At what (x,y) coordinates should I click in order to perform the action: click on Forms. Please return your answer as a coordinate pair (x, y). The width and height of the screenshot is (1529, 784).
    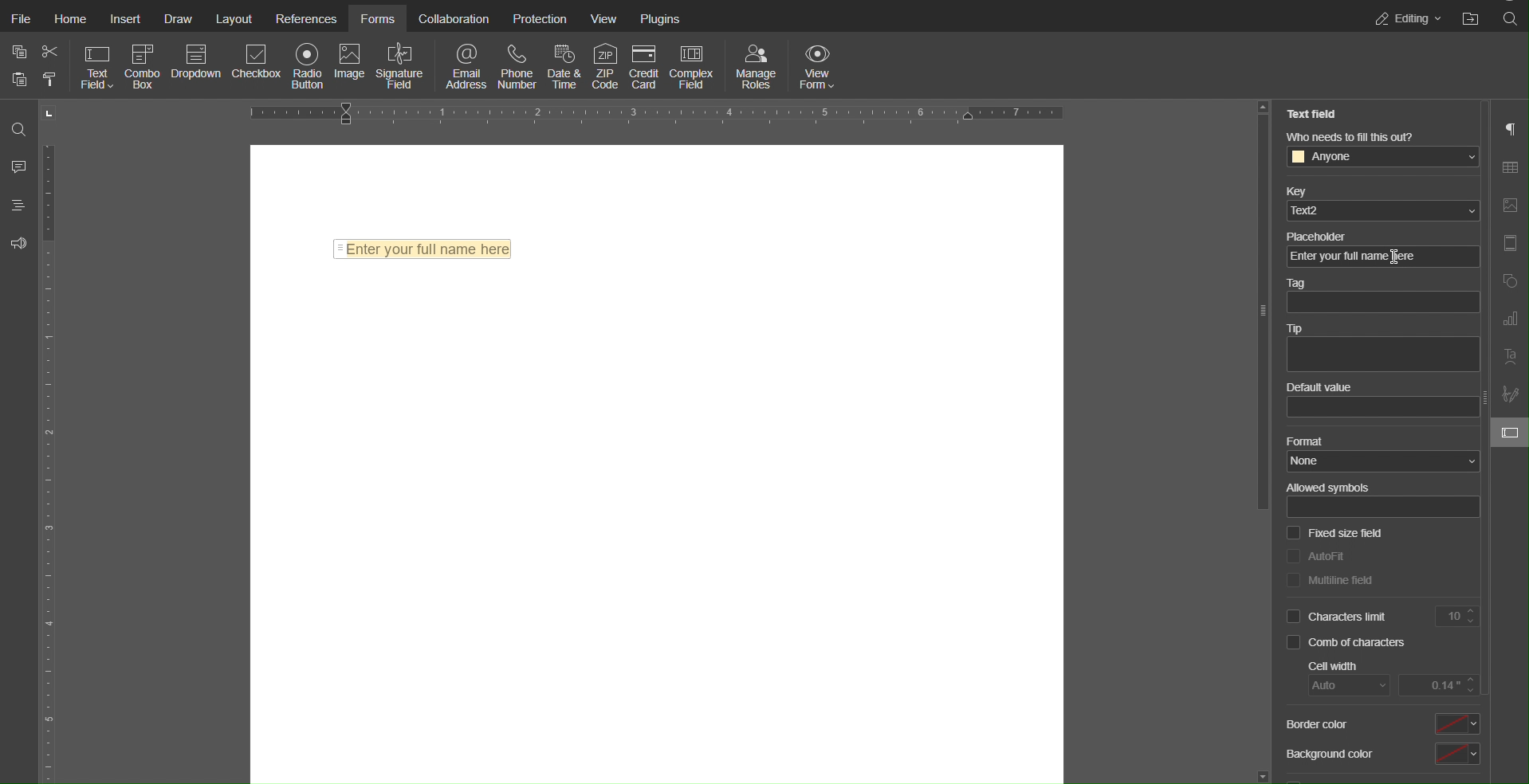
    Looking at the image, I should click on (378, 20).